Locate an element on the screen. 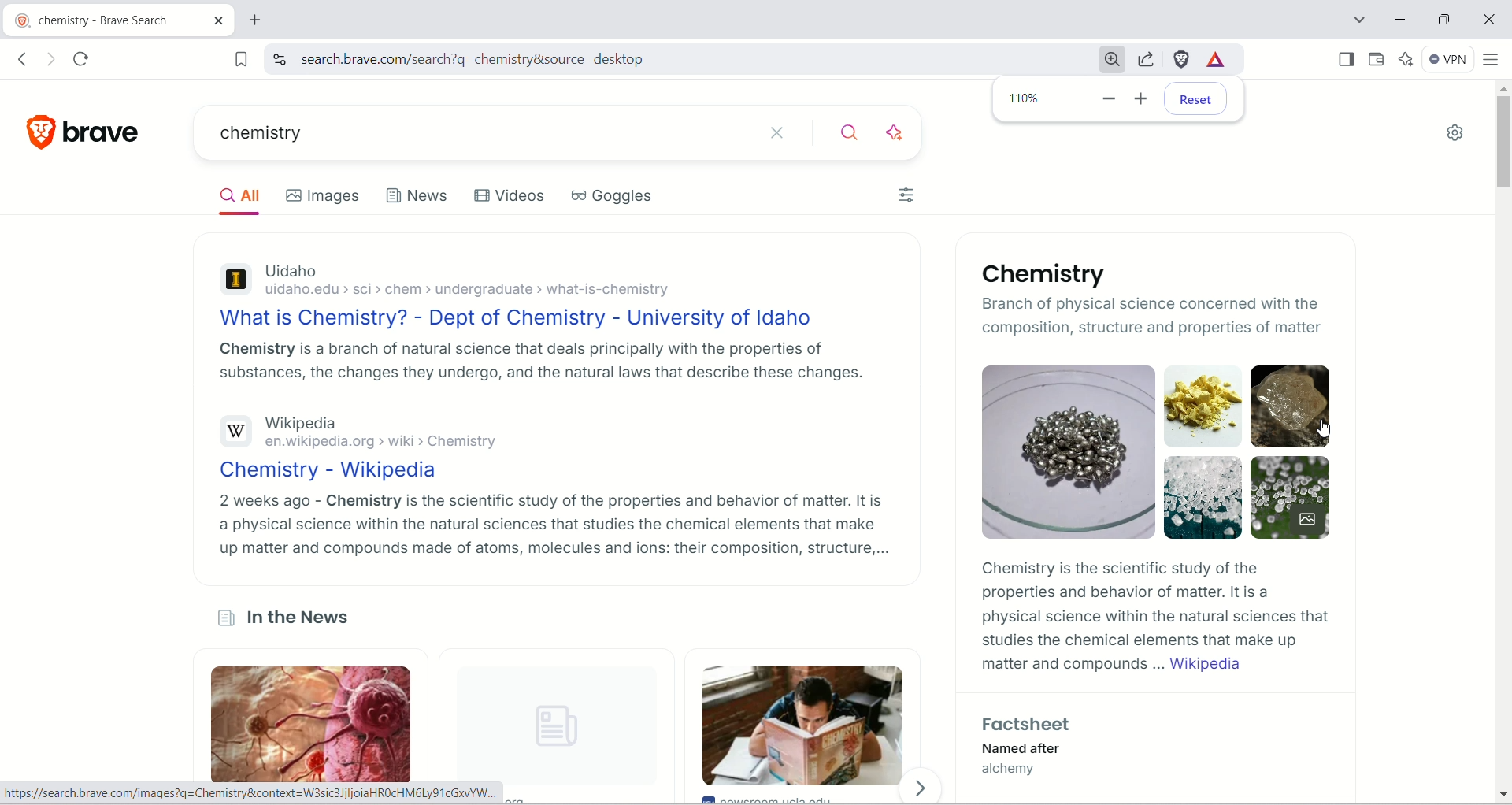  alchemy is located at coordinates (1006, 771).